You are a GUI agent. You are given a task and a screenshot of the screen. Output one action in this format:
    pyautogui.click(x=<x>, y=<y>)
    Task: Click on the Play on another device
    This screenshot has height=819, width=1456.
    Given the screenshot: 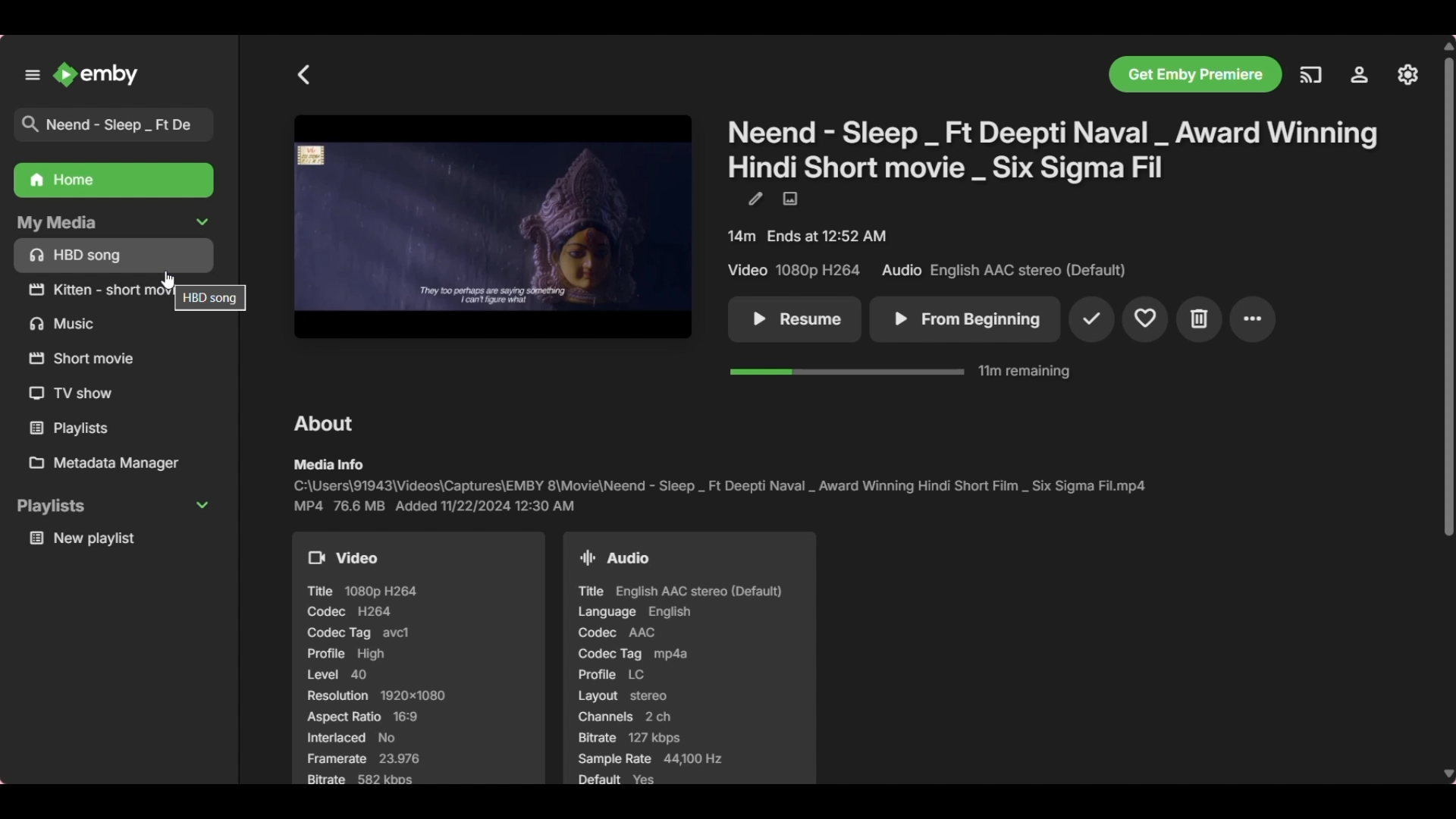 What is the action you would take?
    pyautogui.click(x=1310, y=75)
    